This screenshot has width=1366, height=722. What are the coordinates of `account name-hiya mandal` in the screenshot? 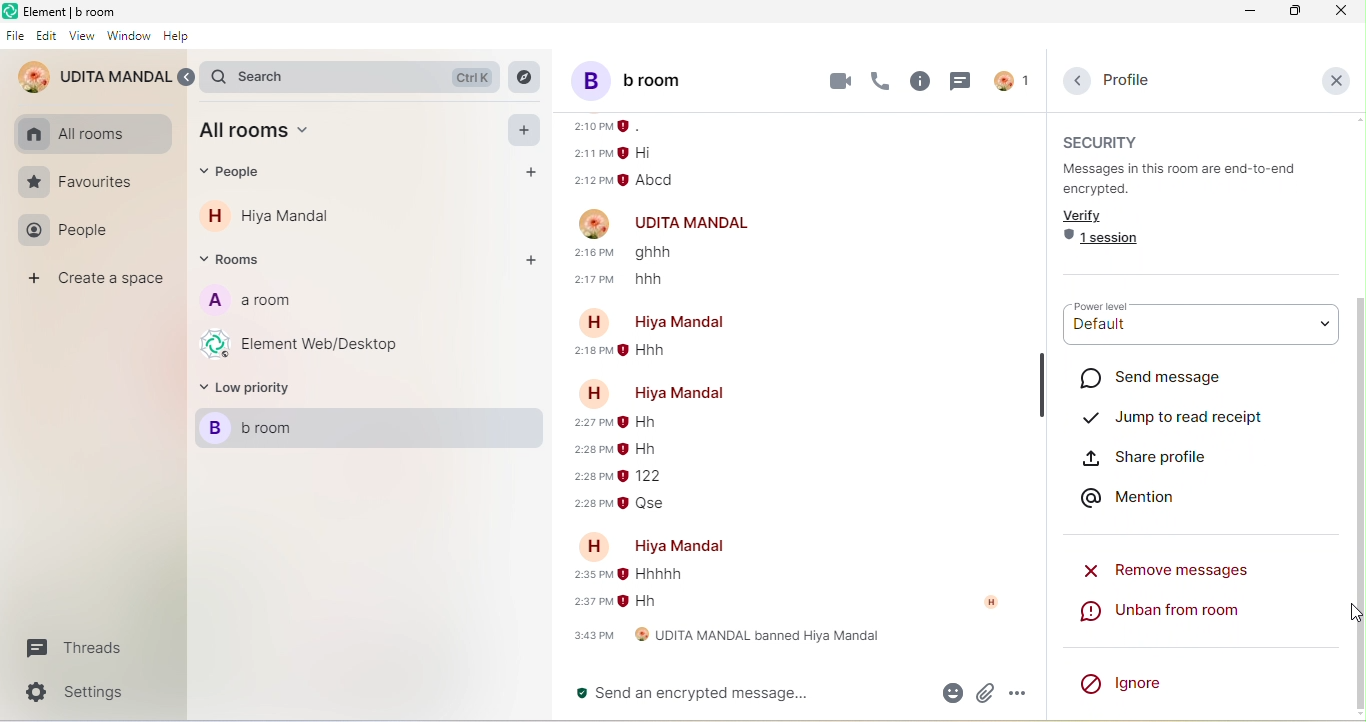 It's located at (663, 545).